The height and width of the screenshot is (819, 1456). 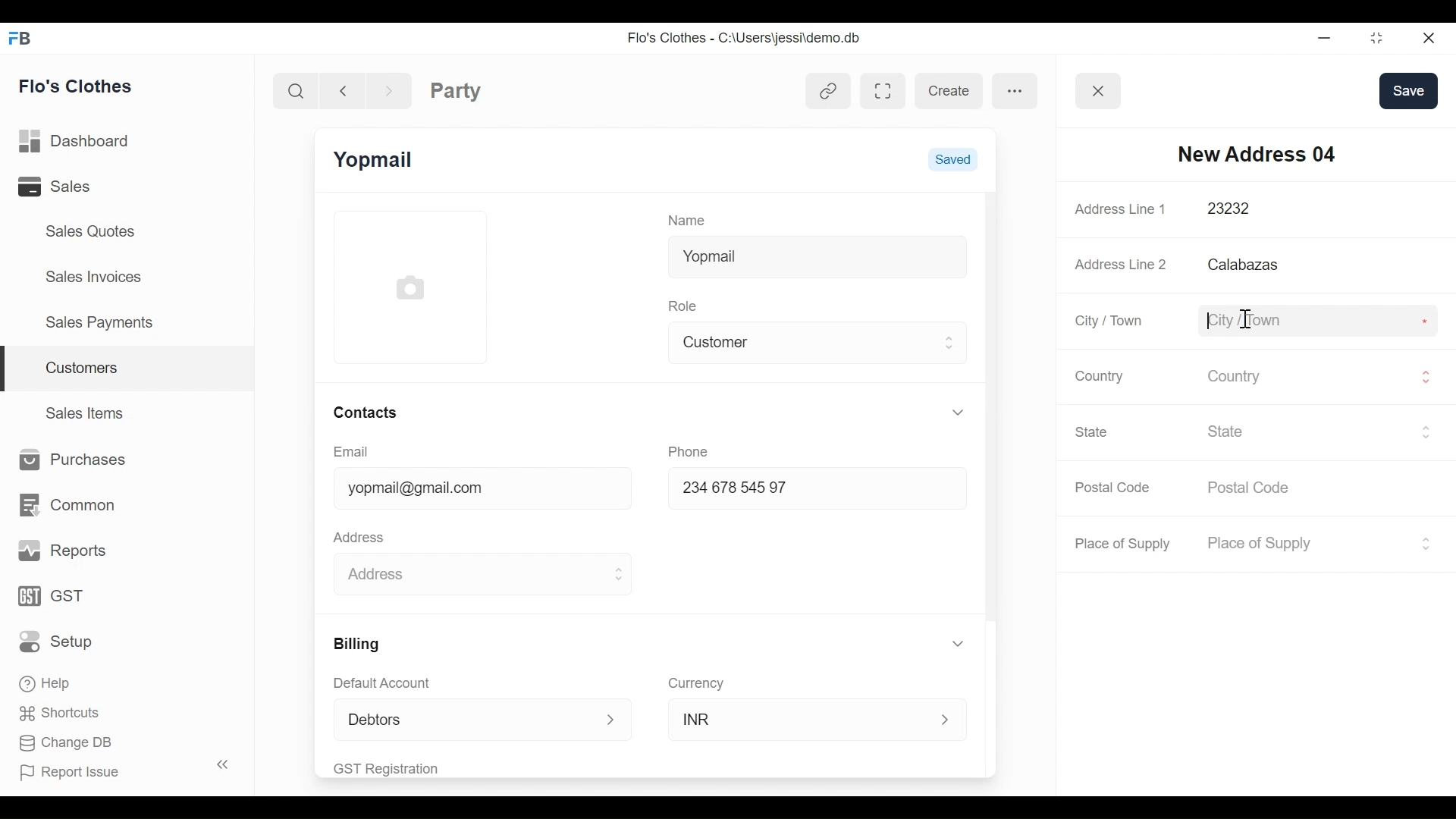 I want to click on Expand, so click(x=947, y=720).